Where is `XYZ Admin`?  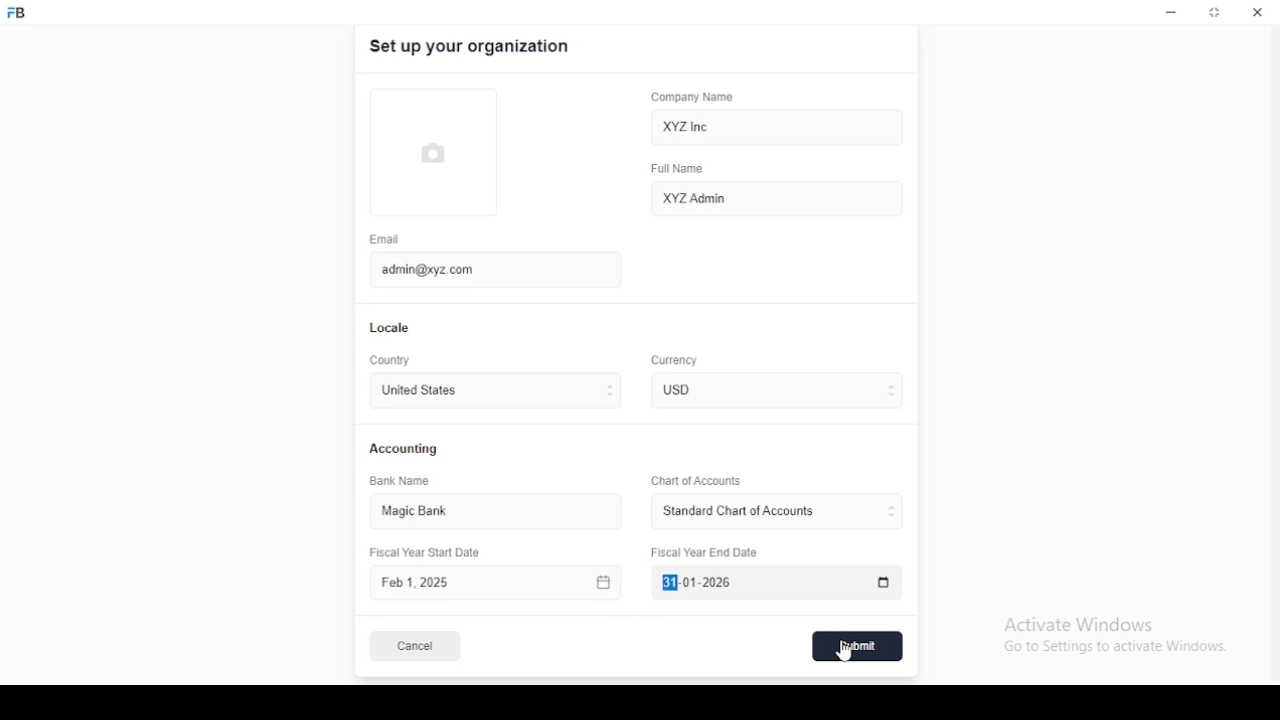
XYZ Admin is located at coordinates (777, 197).